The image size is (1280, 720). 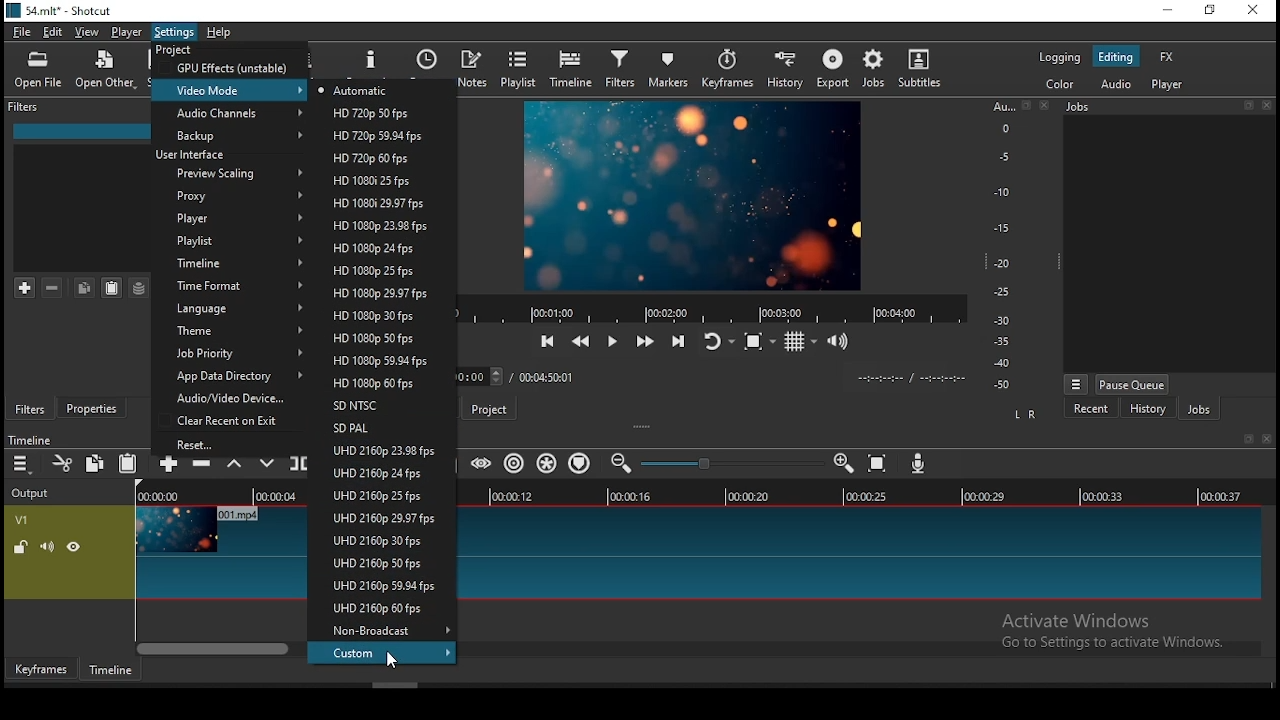 I want to click on resolution option, so click(x=379, y=562).